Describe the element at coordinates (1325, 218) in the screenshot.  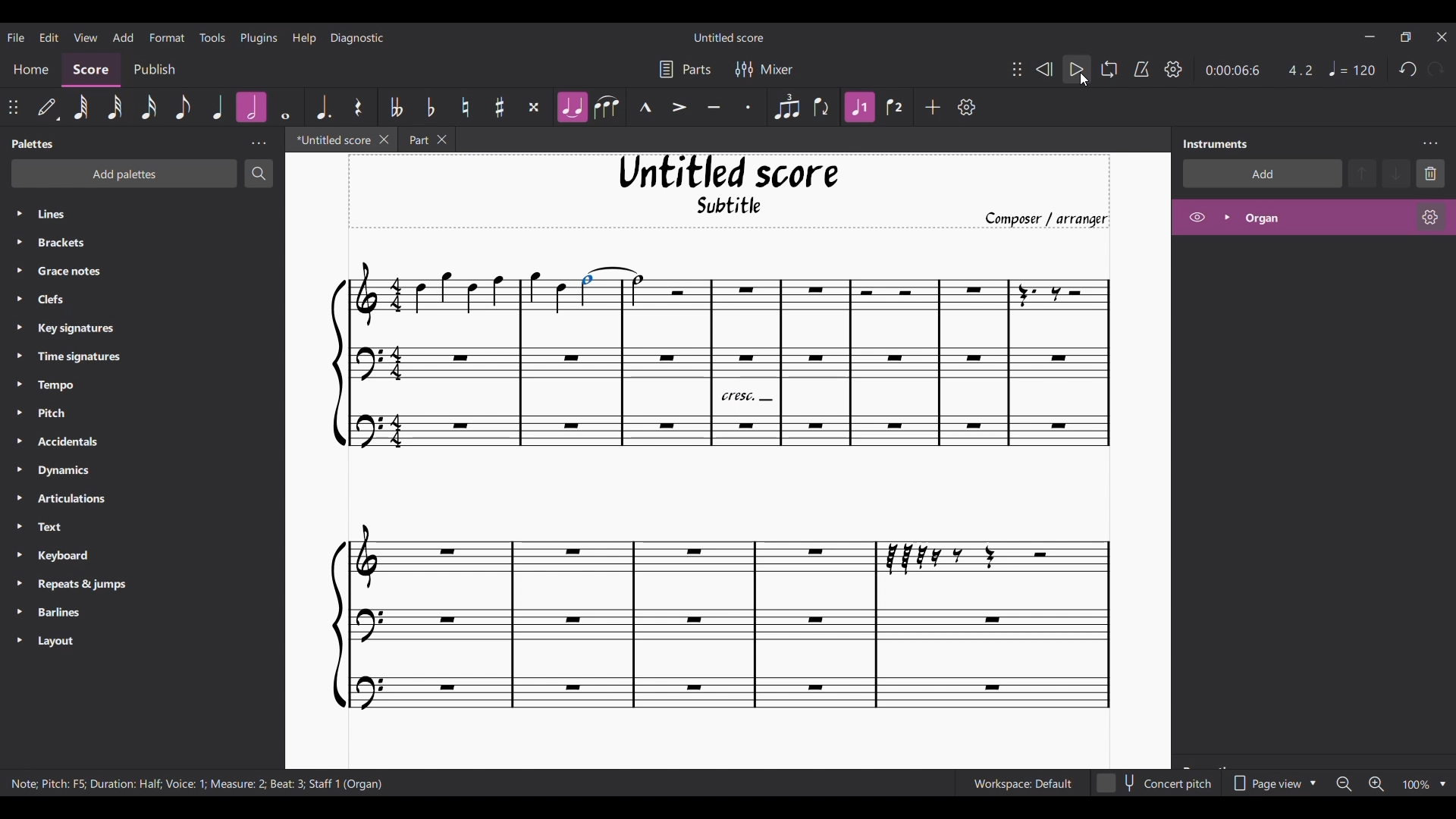
I see `Current instrument` at that location.